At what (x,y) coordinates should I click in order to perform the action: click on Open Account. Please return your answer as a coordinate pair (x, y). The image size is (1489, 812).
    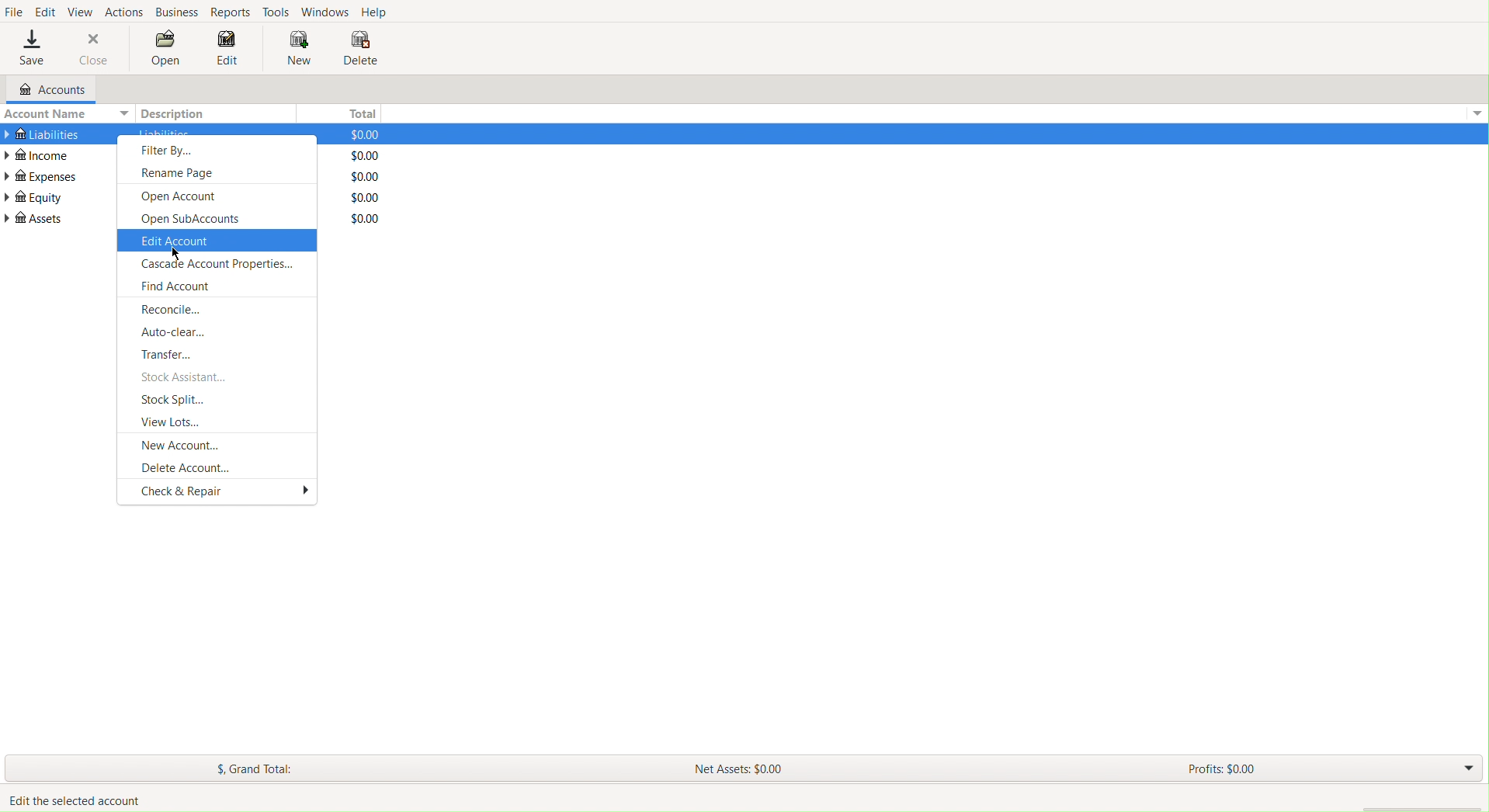
    Looking at the image, I should click on (183, 196).